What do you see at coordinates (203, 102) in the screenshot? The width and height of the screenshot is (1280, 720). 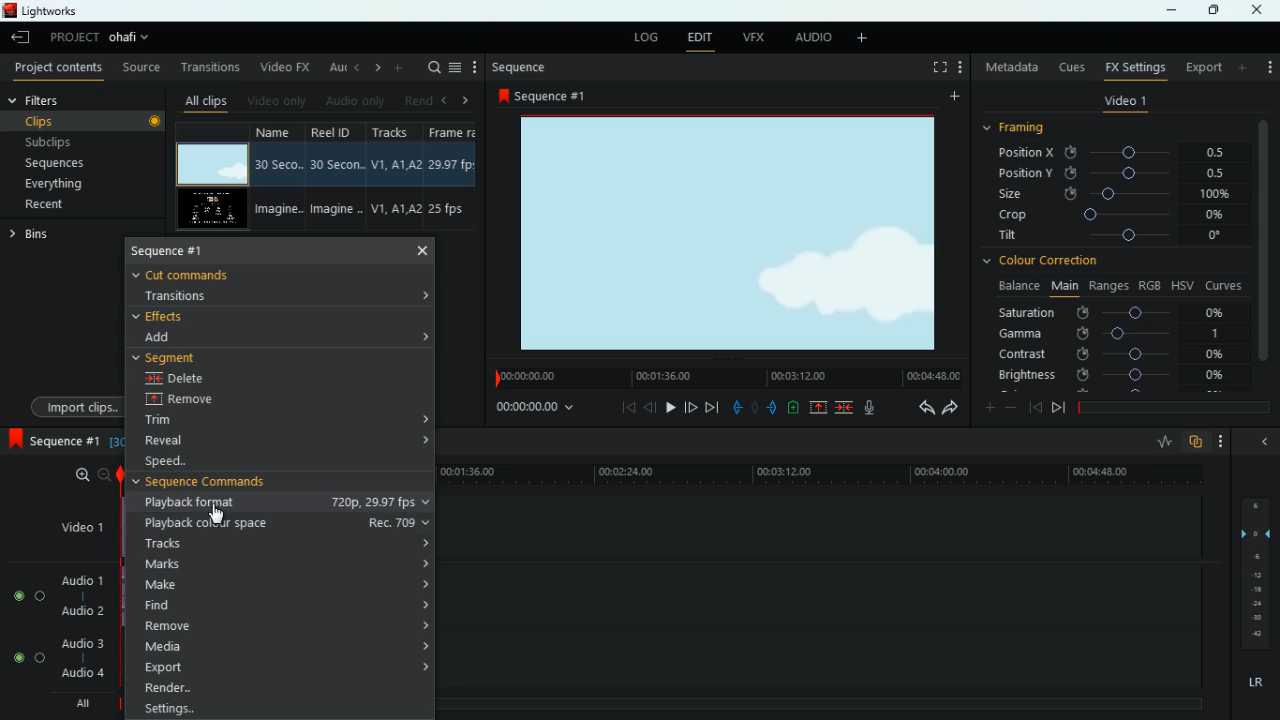 I see `all clips` at bounding box center [203, 102].